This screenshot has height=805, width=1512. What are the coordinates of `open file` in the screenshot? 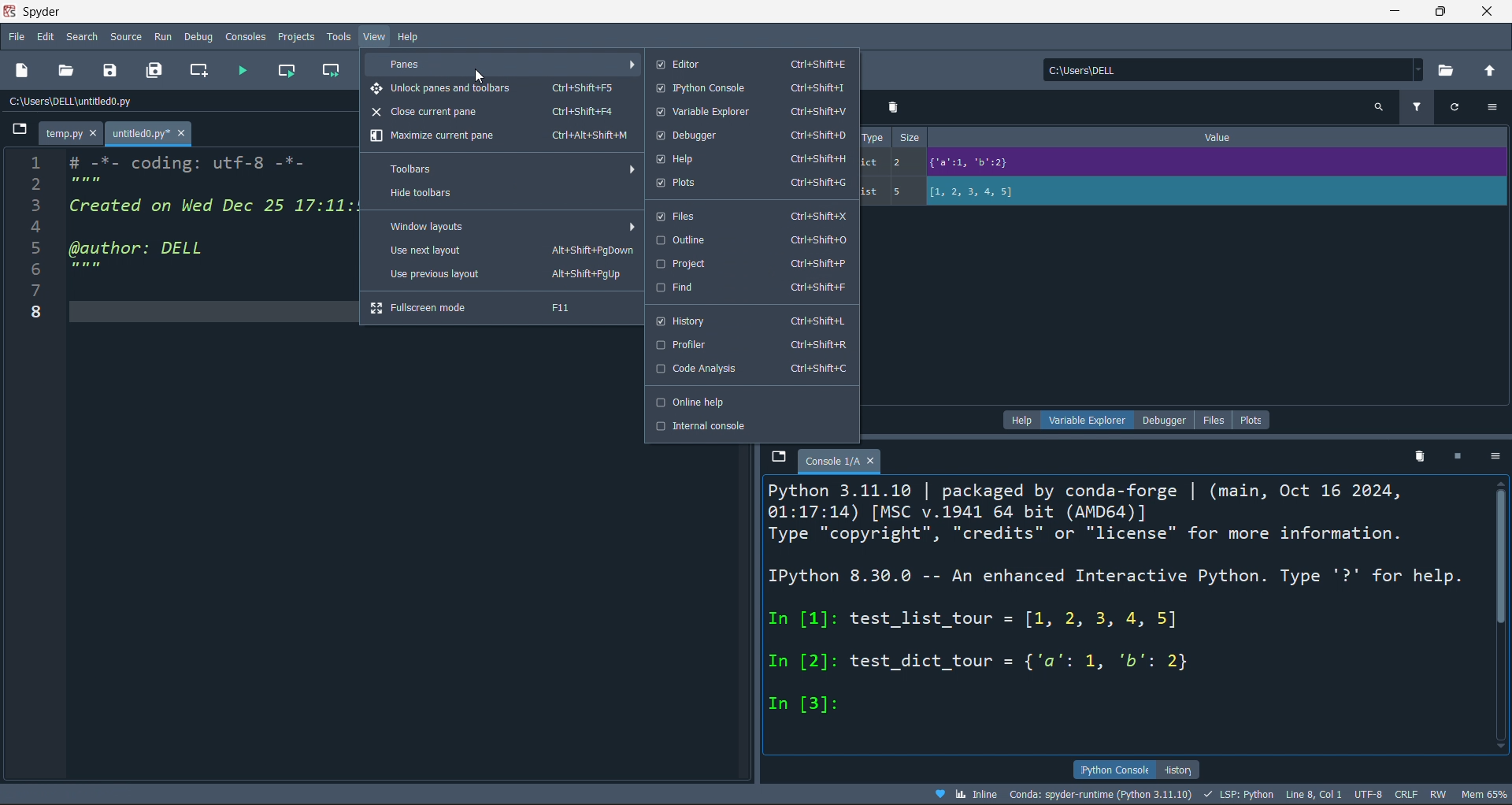 It's located at (66, 70).